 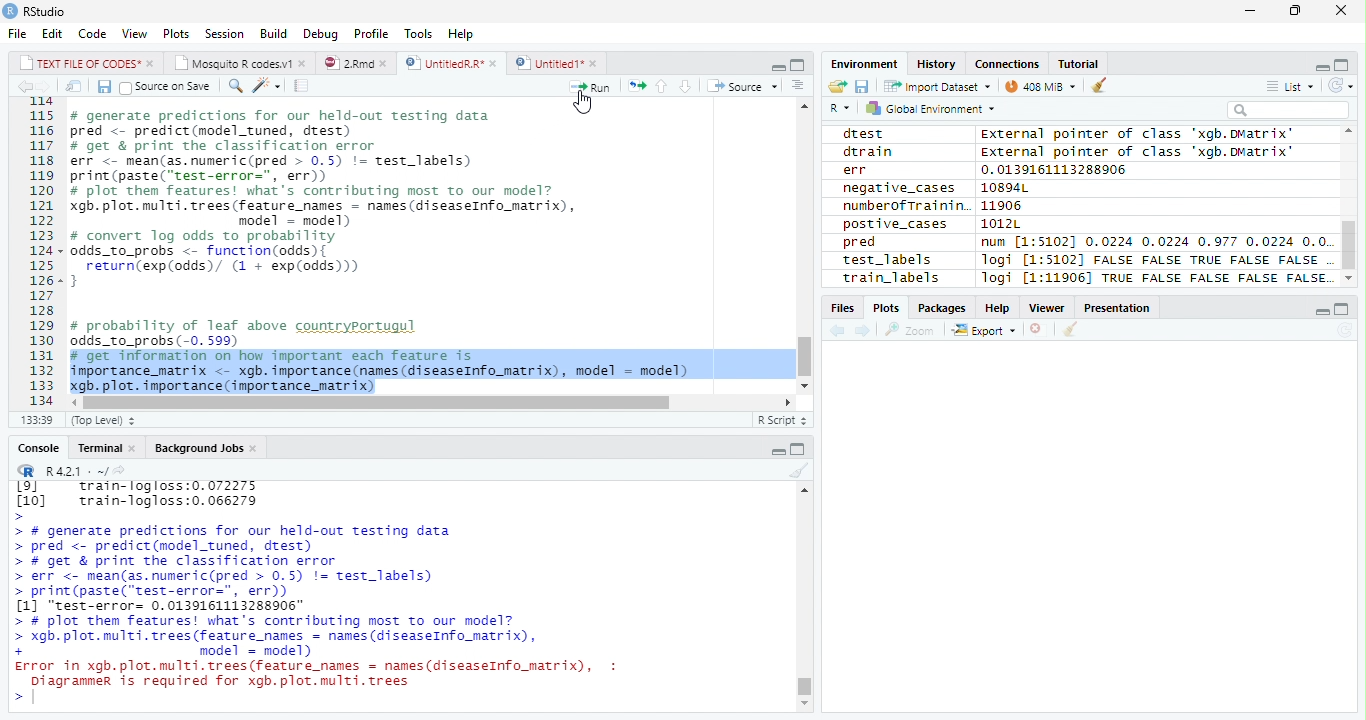 What do you see at coordinates (225, 33) in the screenshot?
I see `Session` at bounding box center [225, 33].